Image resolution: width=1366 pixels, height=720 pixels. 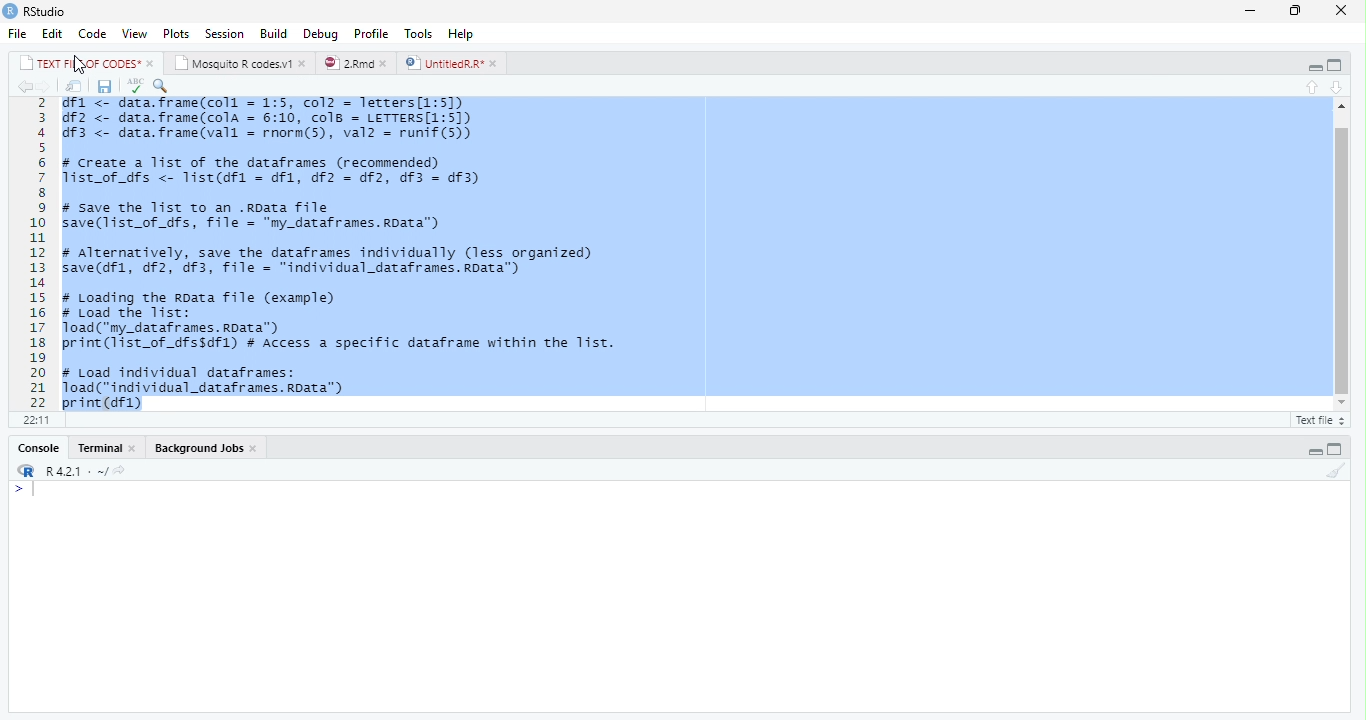 I want to click on Terminal, so click(x=108, y=448).